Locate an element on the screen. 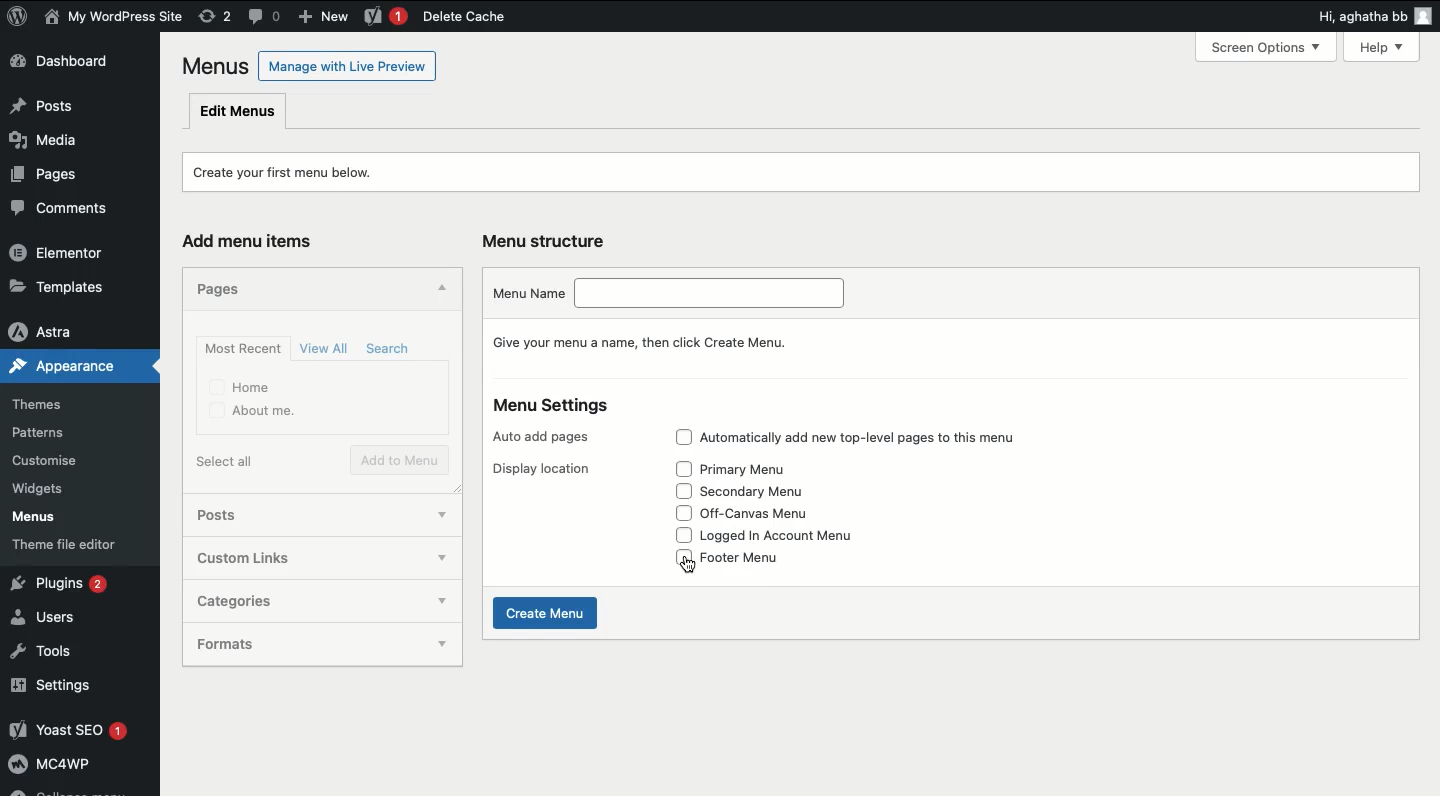 The width and height of the screenshot is (1440, 796). Automatically add top level pages to this menu is located at coordinates (881, 439).